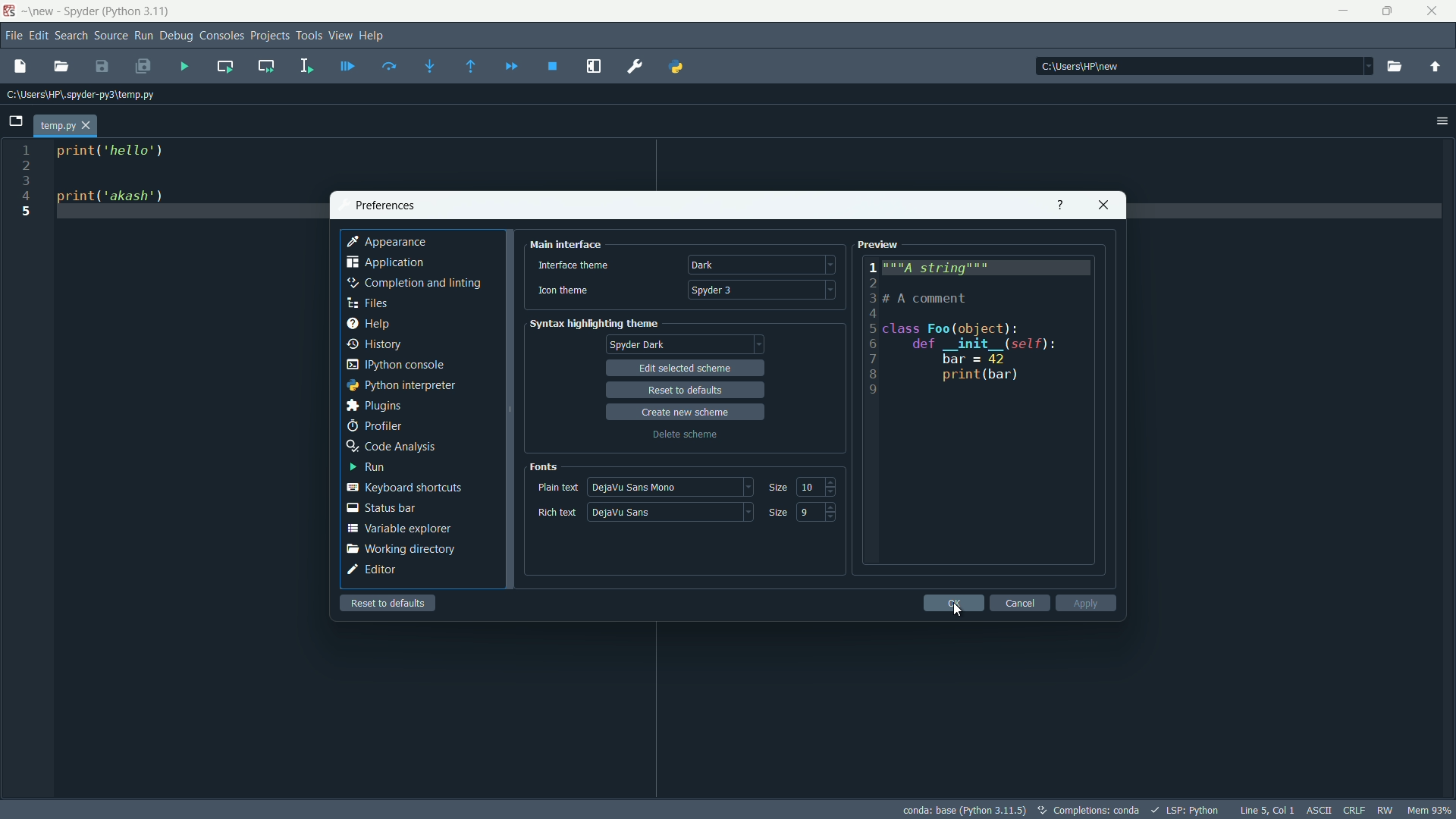 This screenshot has height=819, width=1456. I want to click on spyder 3, so click(762, 289).